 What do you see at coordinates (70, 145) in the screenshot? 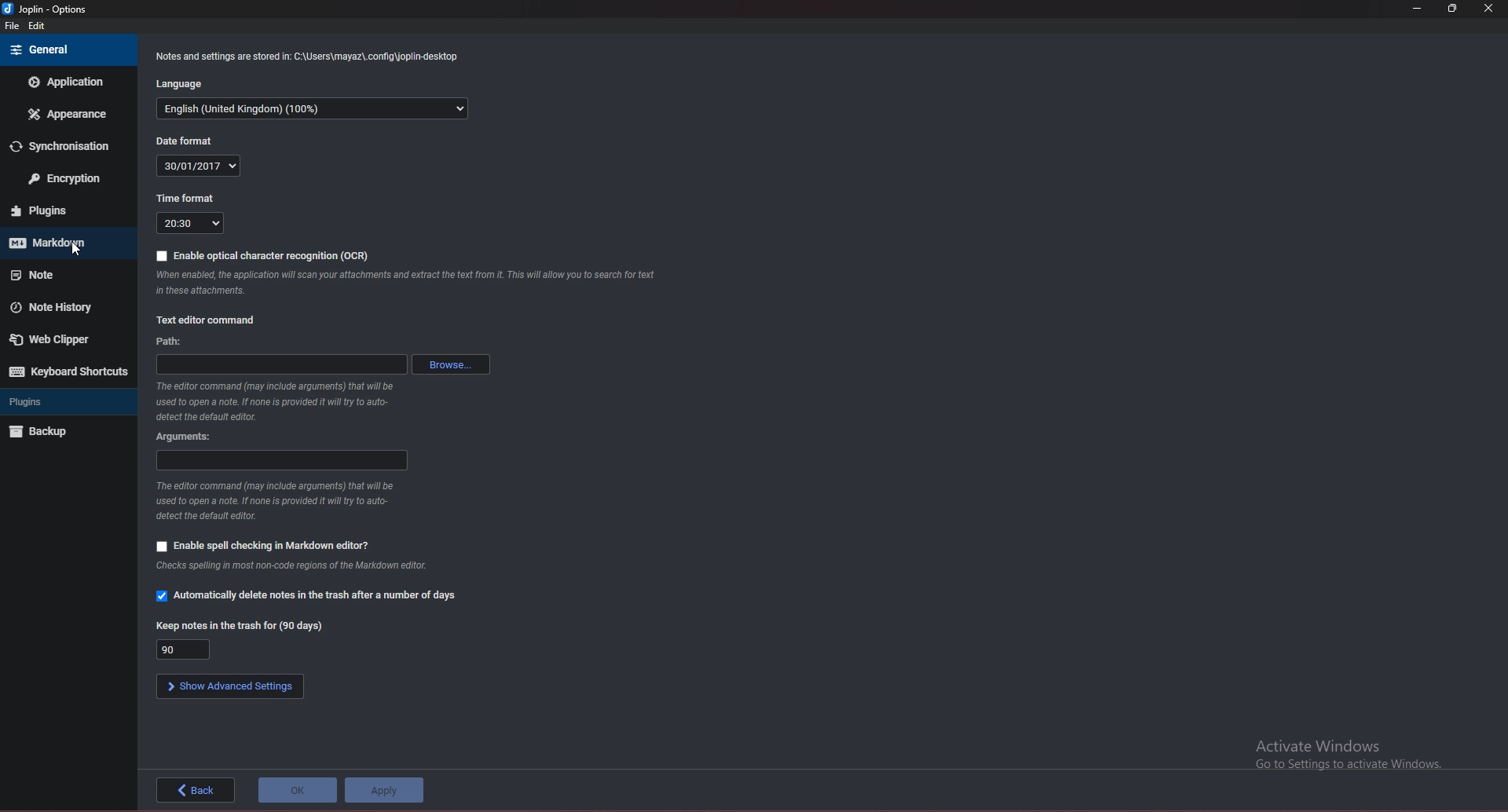
I see `sync` at bounding box center [70, 145].